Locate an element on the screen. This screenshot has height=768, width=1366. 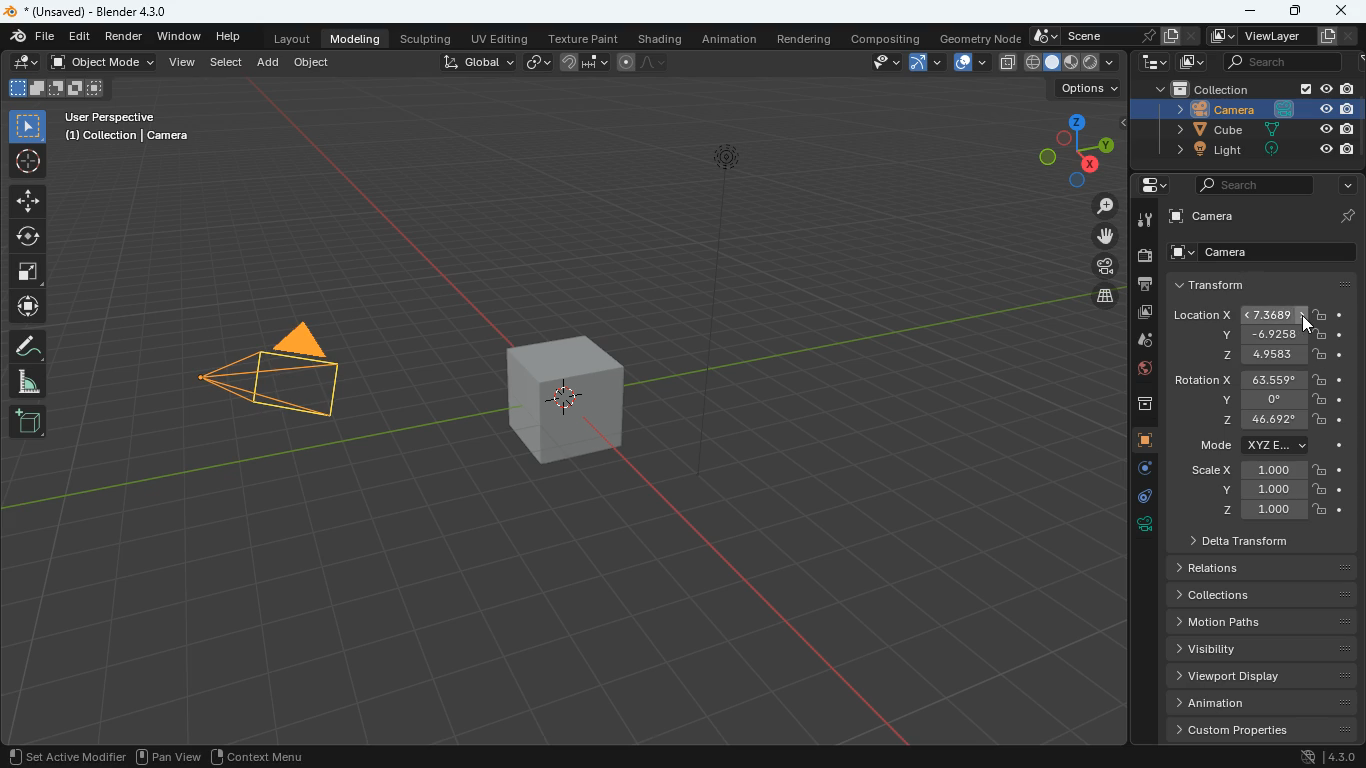
blender is located at coordinates (97, 13).